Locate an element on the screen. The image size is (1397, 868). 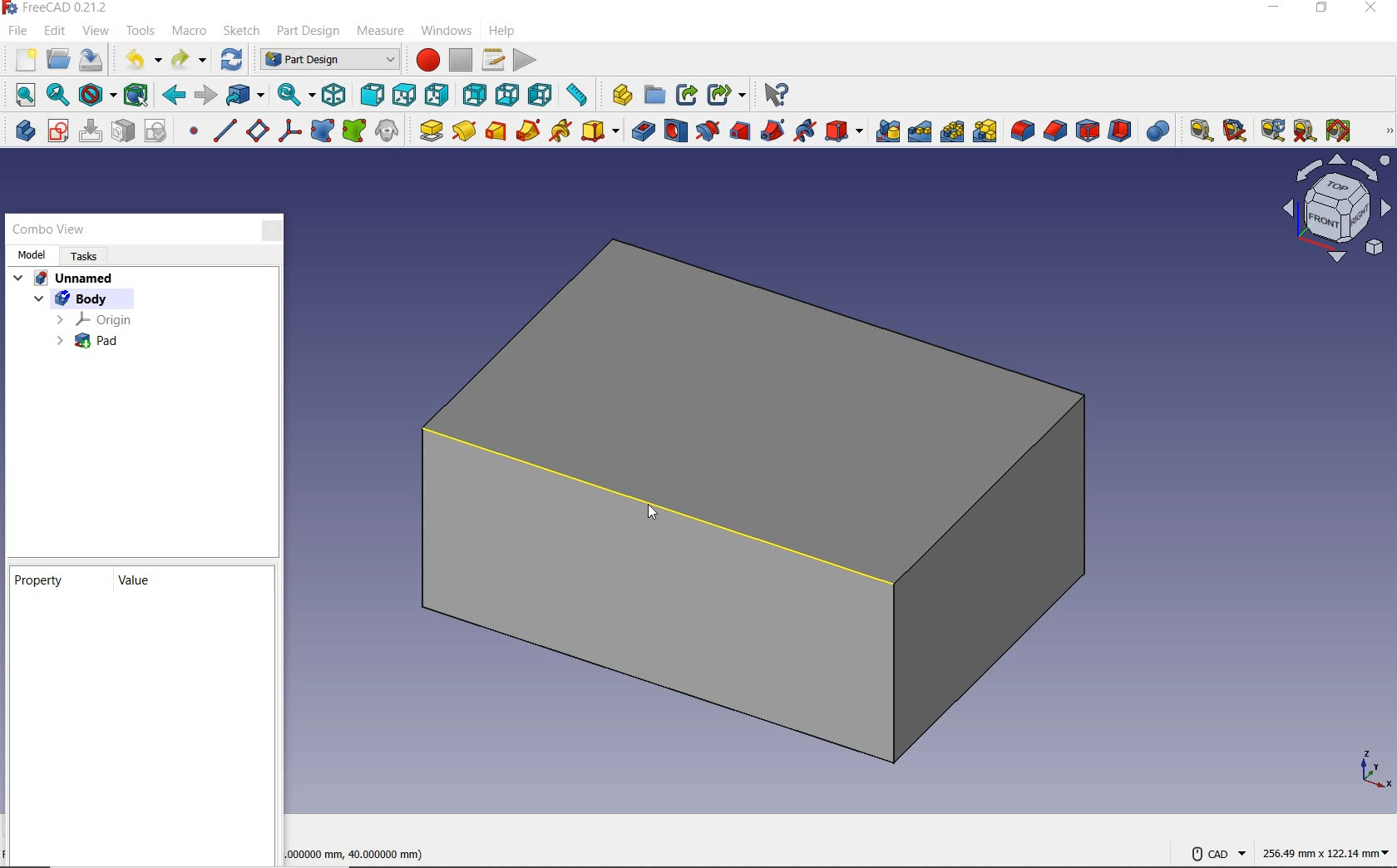
go to linked object is located at coordinates (245, 96).